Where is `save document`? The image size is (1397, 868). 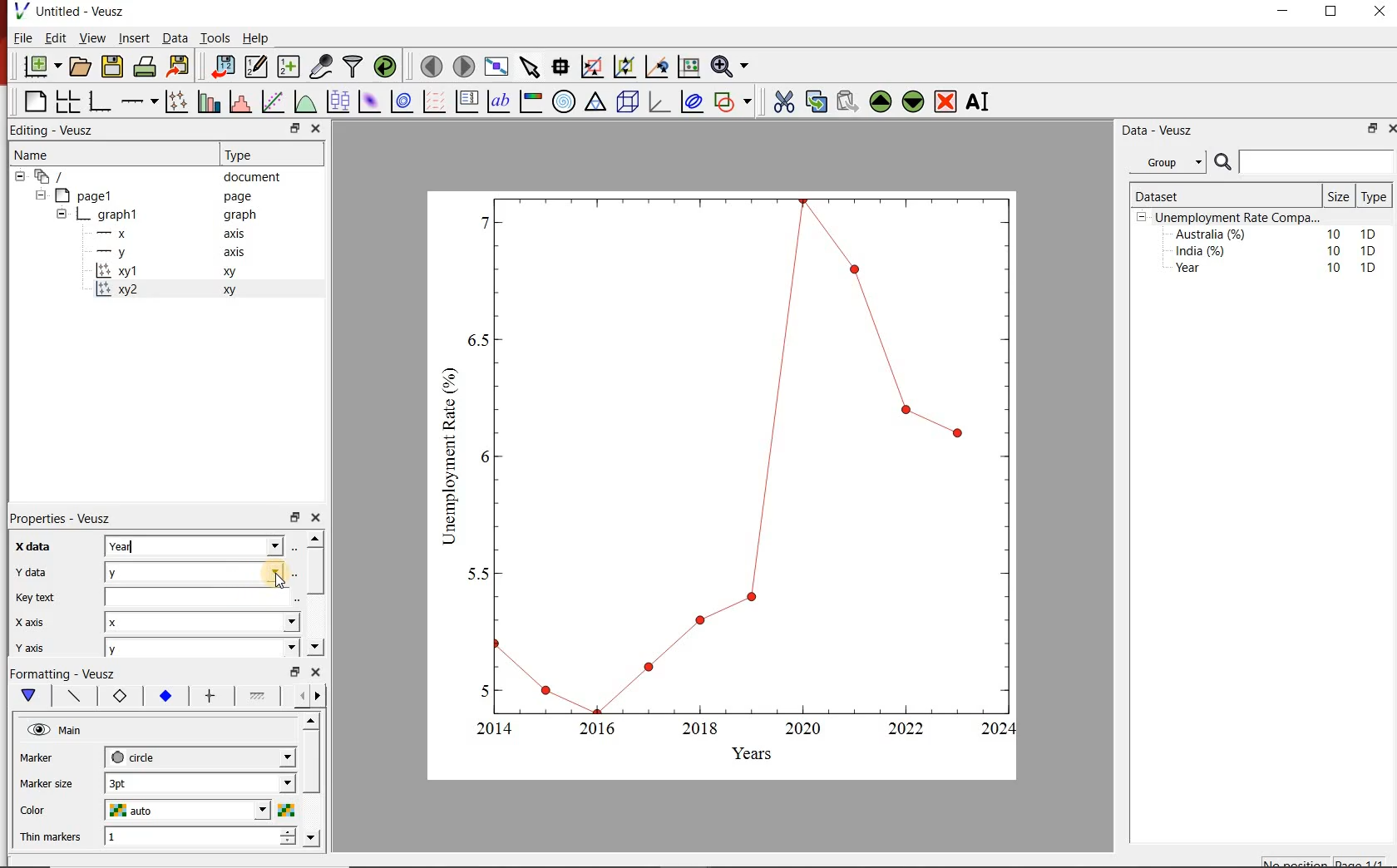
save document is located at coordinates (112, 66).